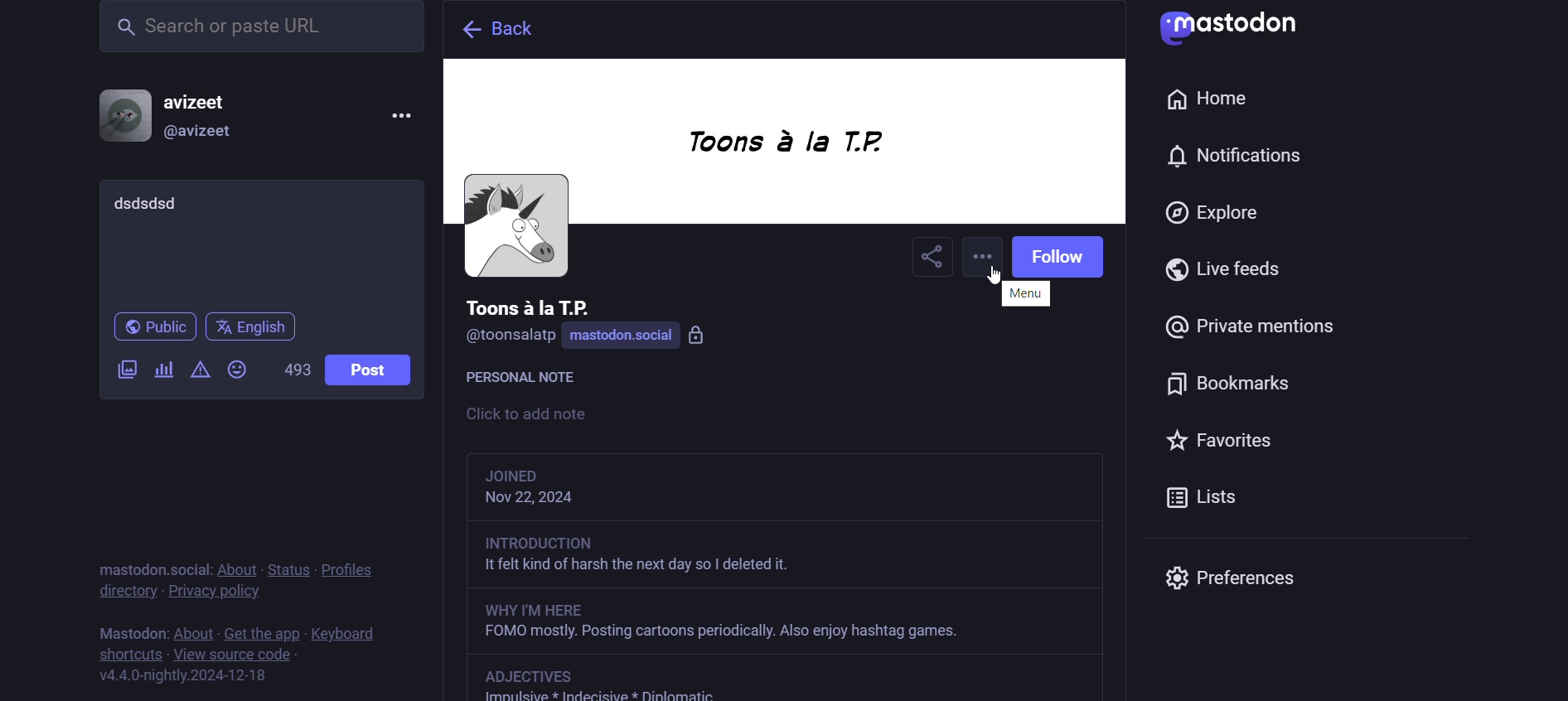  What do you see at coordinates (1063, 257) in the screenshot?
I see `follow` at bounding box center [1063, 257].